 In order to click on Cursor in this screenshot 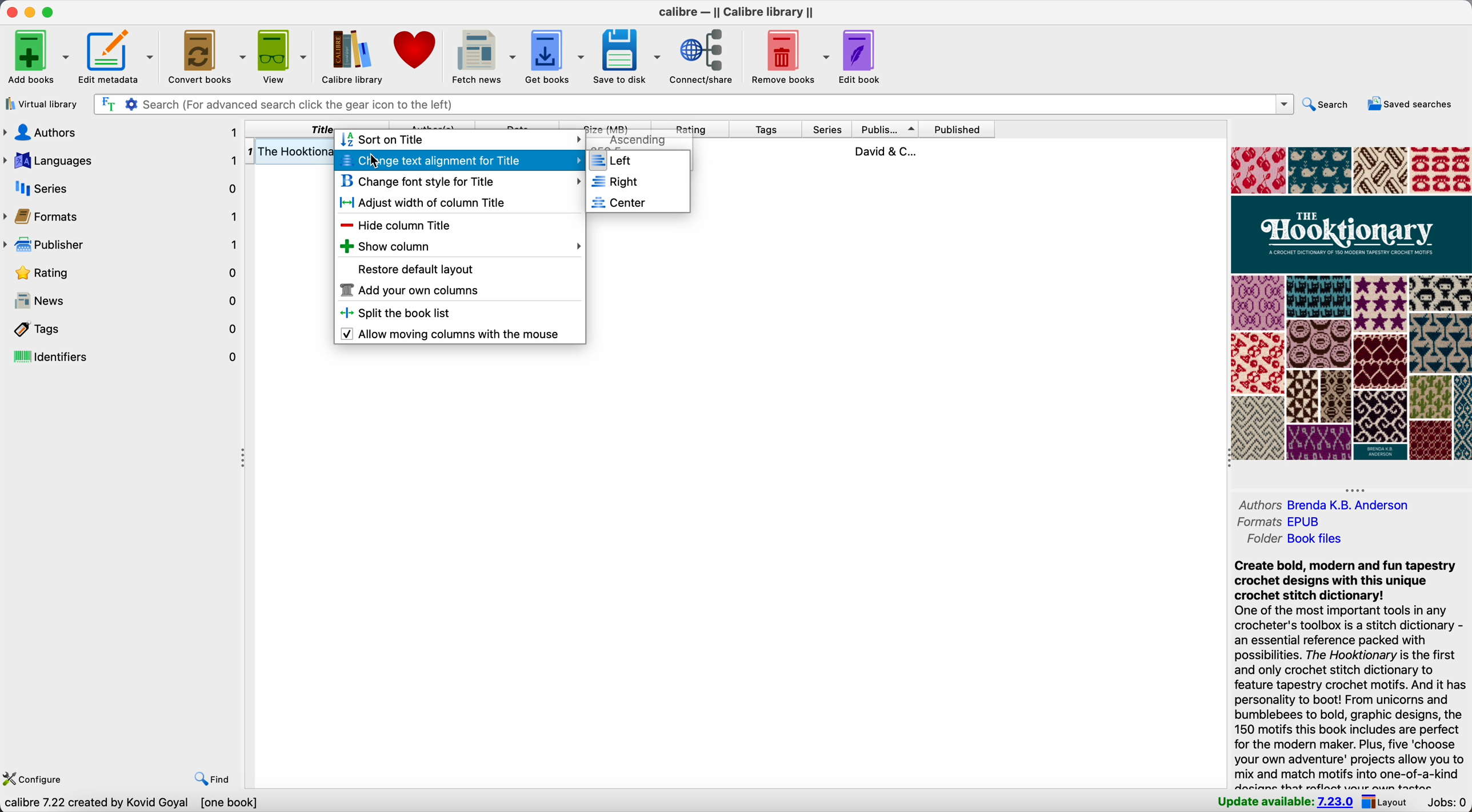, I will do `click(376, 161)`.